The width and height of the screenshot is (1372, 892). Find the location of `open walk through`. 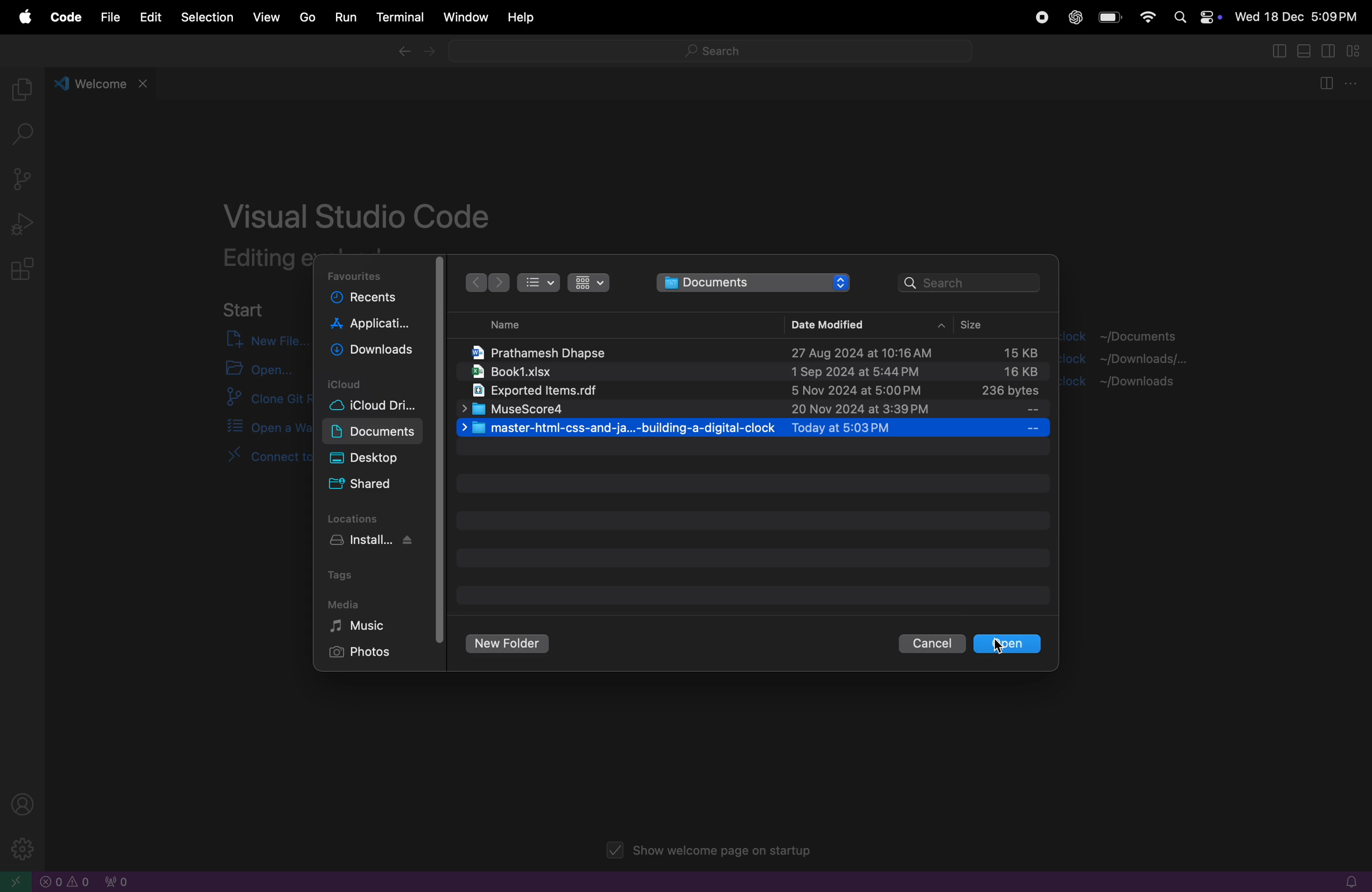

open walk through is located at coordinates (255, 428).